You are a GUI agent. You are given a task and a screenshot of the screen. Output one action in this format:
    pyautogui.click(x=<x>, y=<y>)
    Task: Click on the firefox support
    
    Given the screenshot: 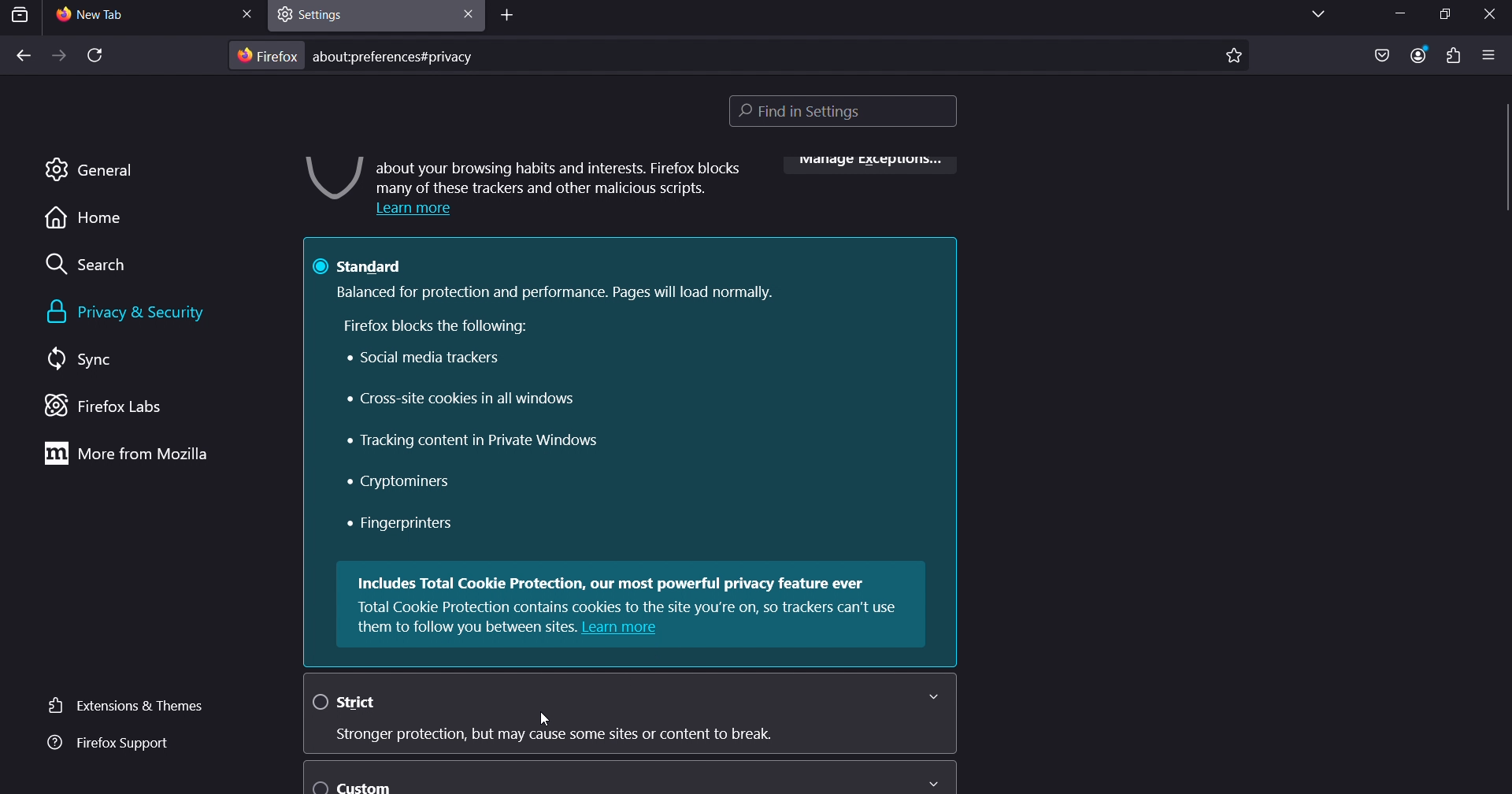 What is the action you would take?
    pyautogui.click(x=106, y=744)
    